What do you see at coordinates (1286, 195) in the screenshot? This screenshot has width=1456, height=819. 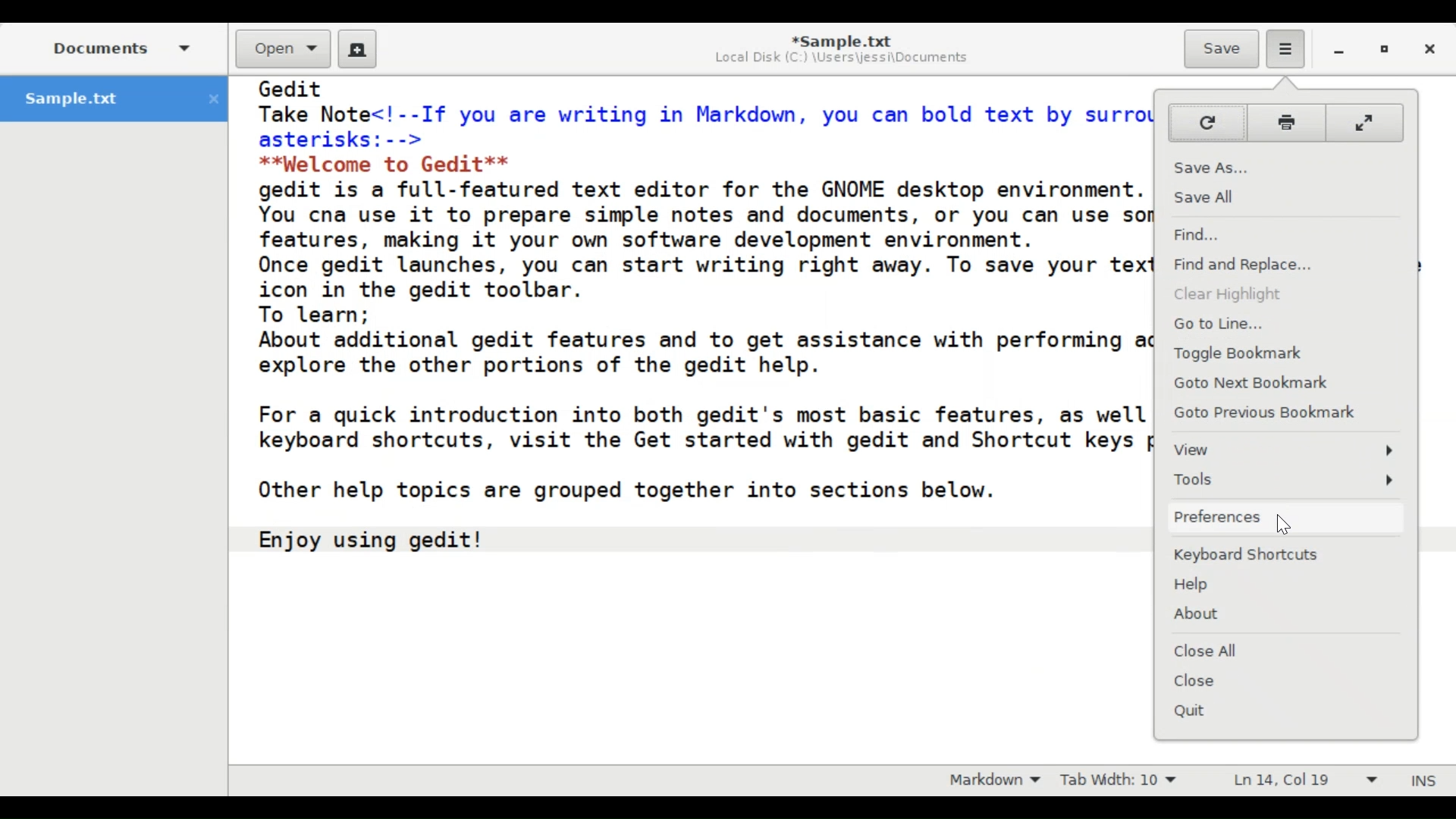 I see `Save All` at bounding box center [1286, 195].